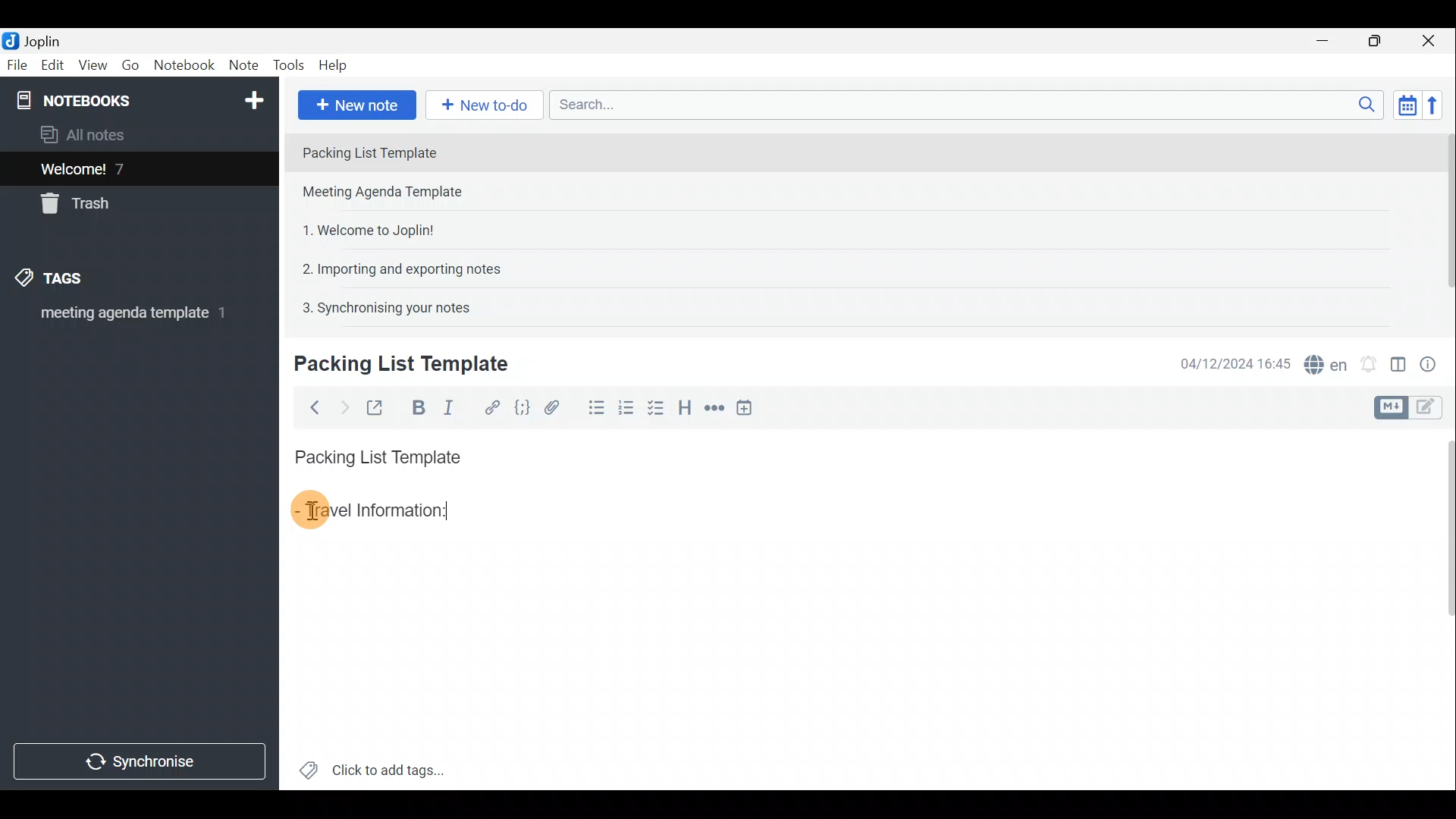 This screenshot has height=819, width=1456. What do you see at coordinates (341, 406) in the screenshot?
I see `Forward` at bounding box center [341, 406].